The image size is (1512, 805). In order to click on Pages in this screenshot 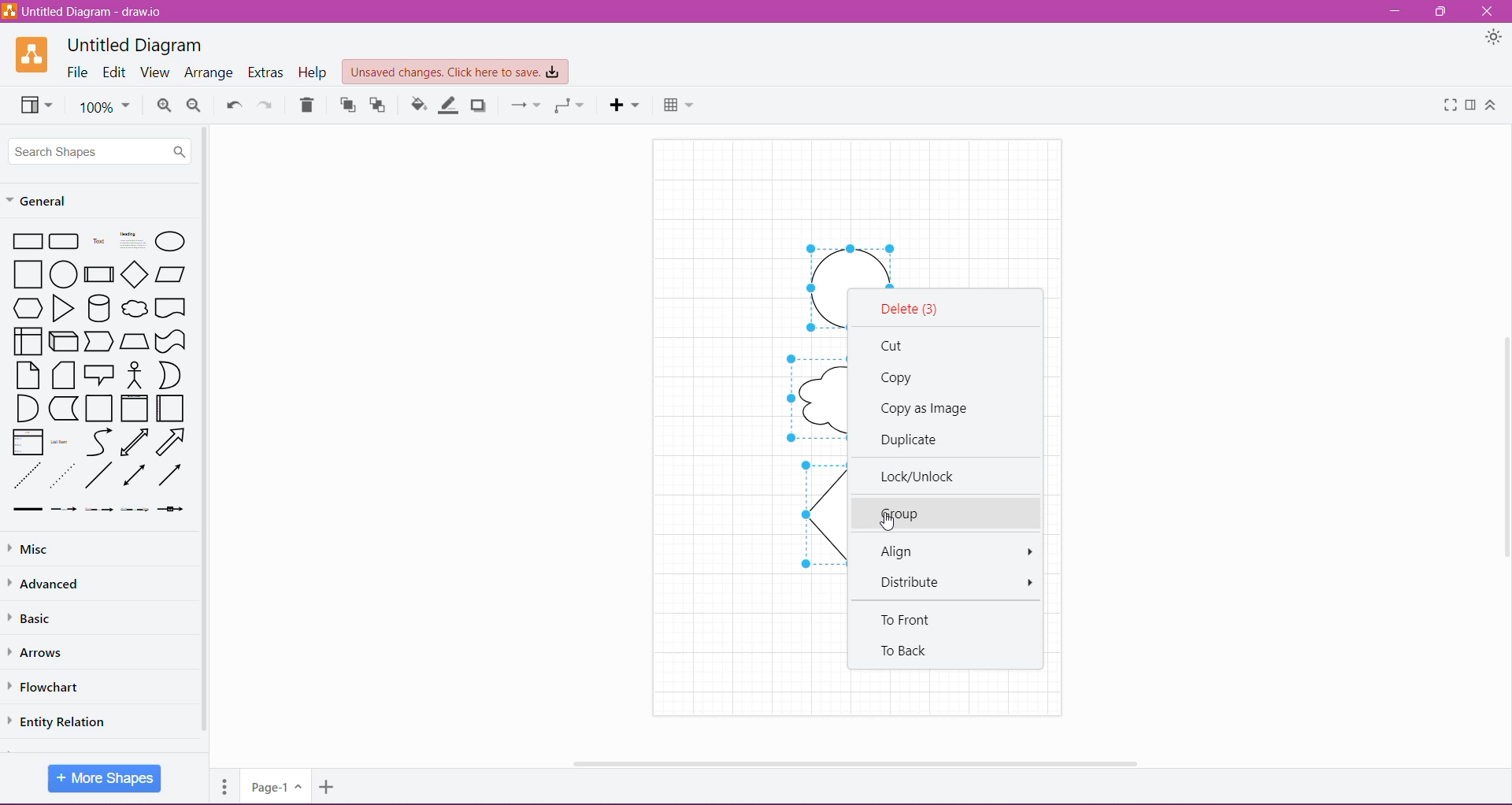, I will do `click(222, 785)`.